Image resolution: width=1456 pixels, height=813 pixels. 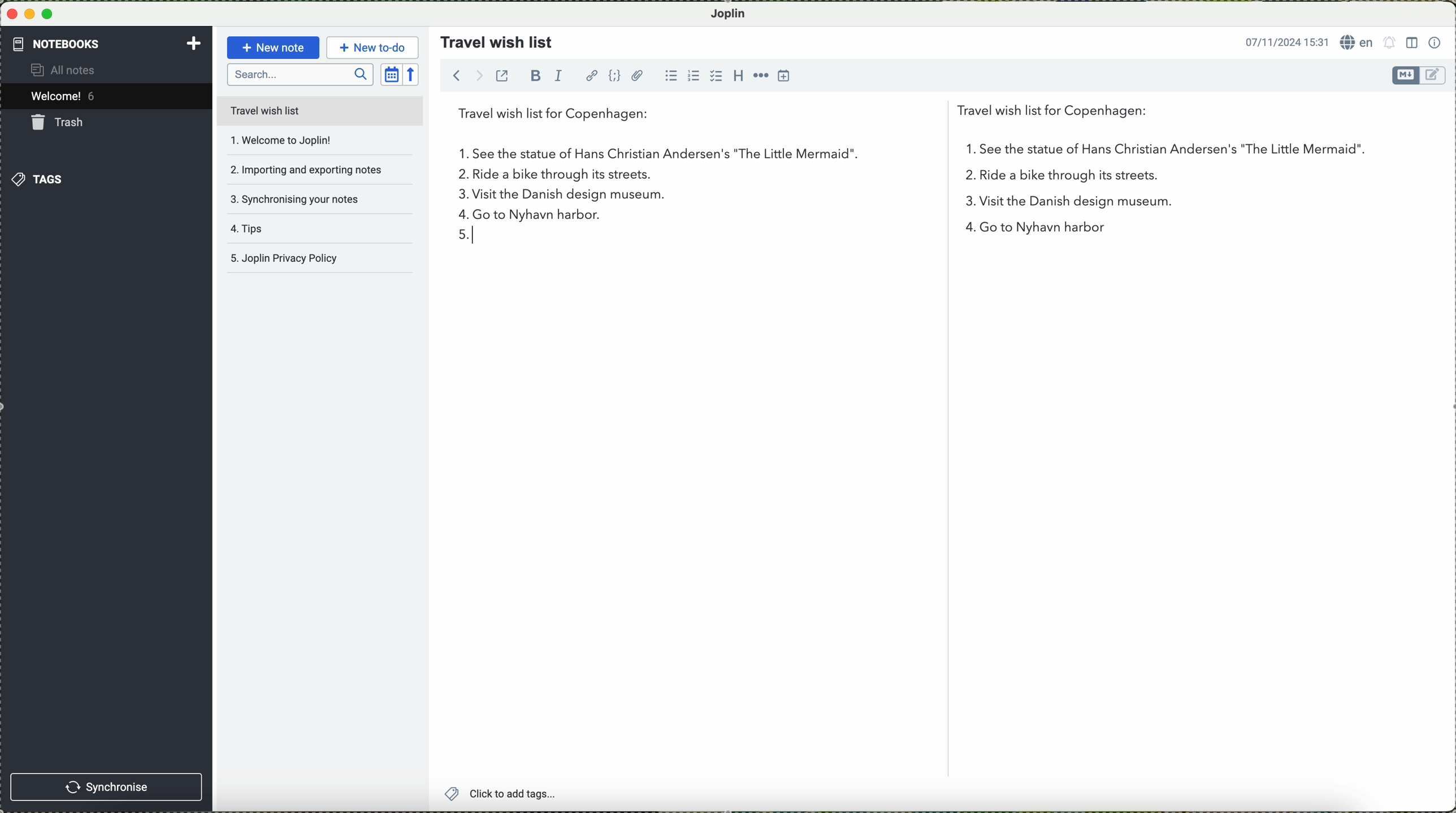 I want to click on minimize, so click(x=31, y=14).